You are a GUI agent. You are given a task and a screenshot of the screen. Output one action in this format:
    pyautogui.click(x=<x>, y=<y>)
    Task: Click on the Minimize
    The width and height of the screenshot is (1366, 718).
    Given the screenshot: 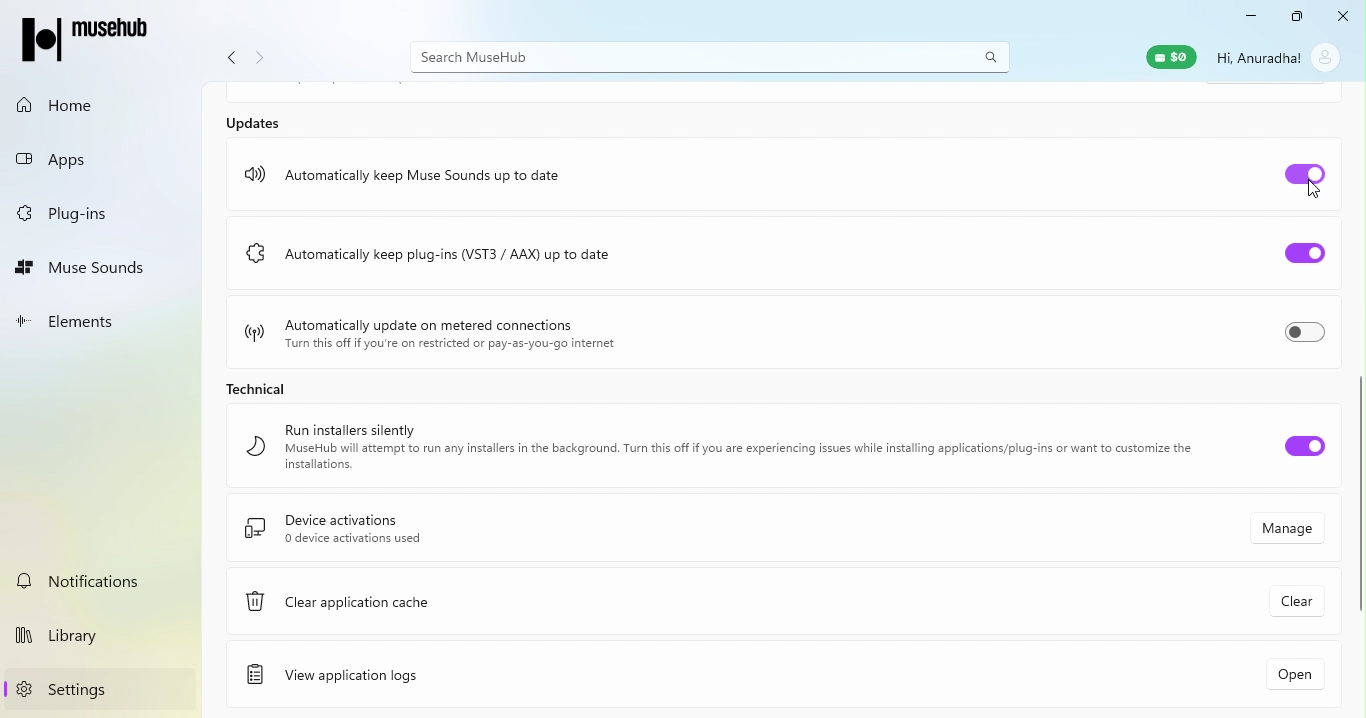 What is the action you would take?
    pyautogui.click(x=1244, y=18)
    